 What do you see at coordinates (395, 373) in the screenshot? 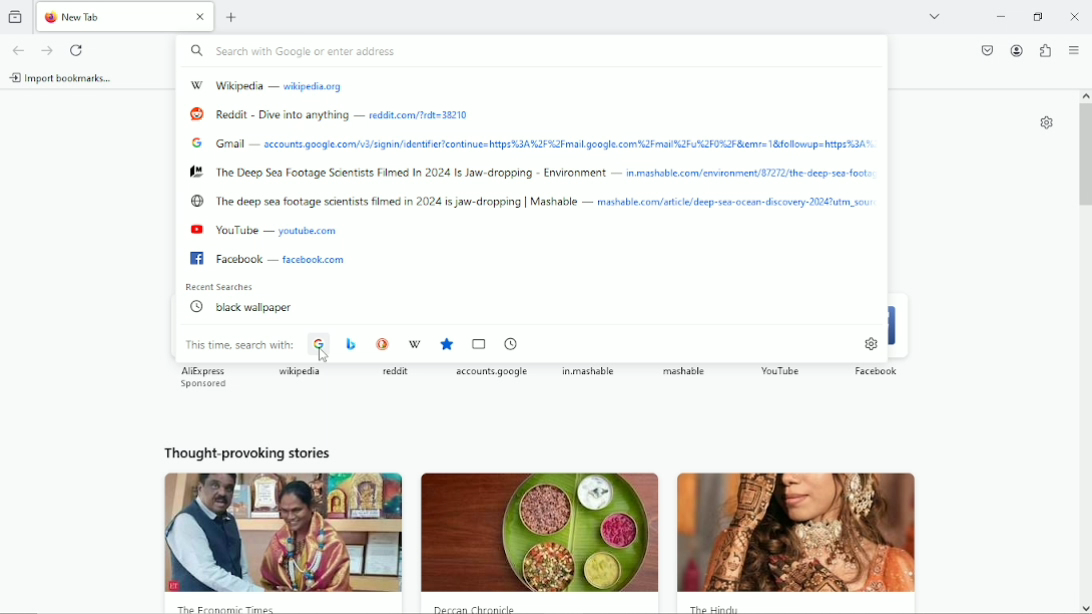
I see `reddit` at bounding box center [395, 373].